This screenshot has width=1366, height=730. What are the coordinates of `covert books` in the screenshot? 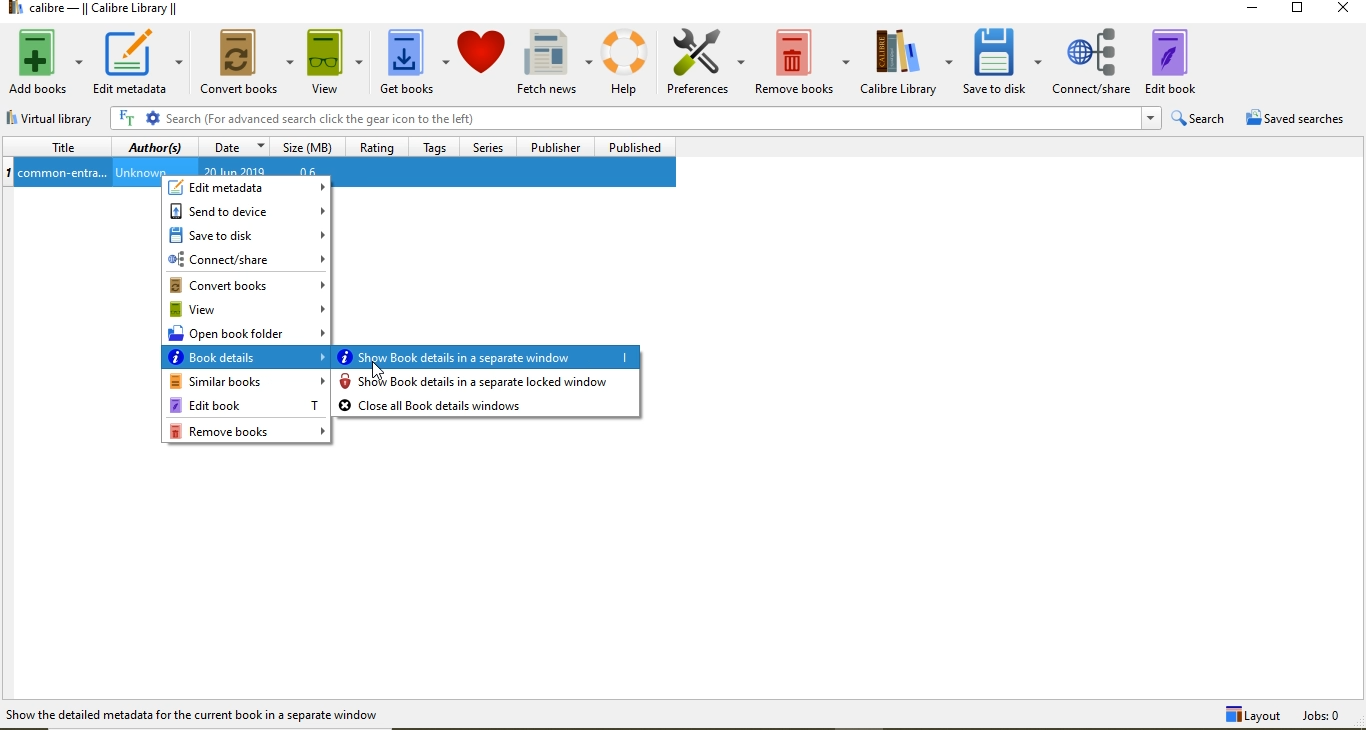 It's located at (248, 61).